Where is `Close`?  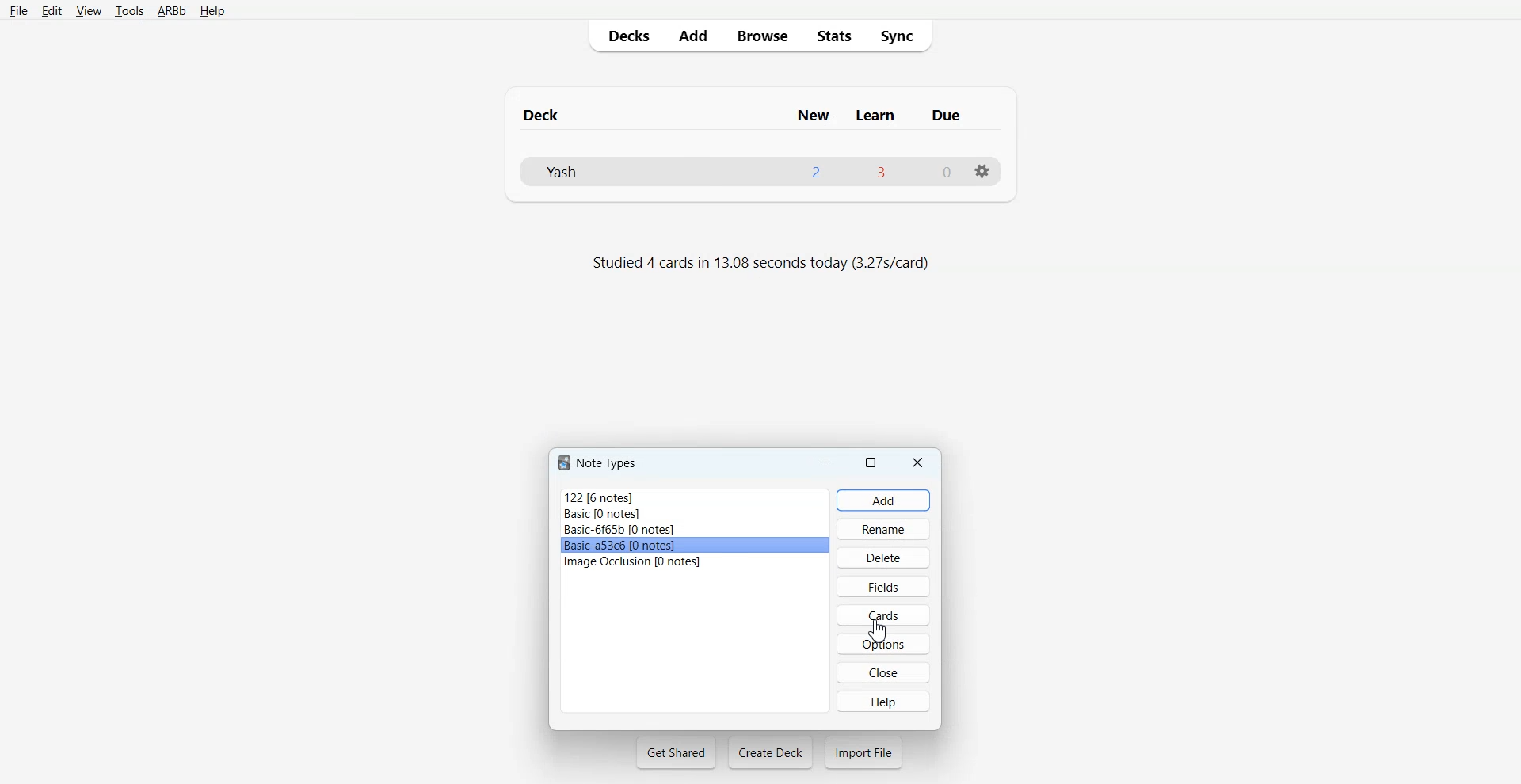
Close is located at coordinates (884, 672).